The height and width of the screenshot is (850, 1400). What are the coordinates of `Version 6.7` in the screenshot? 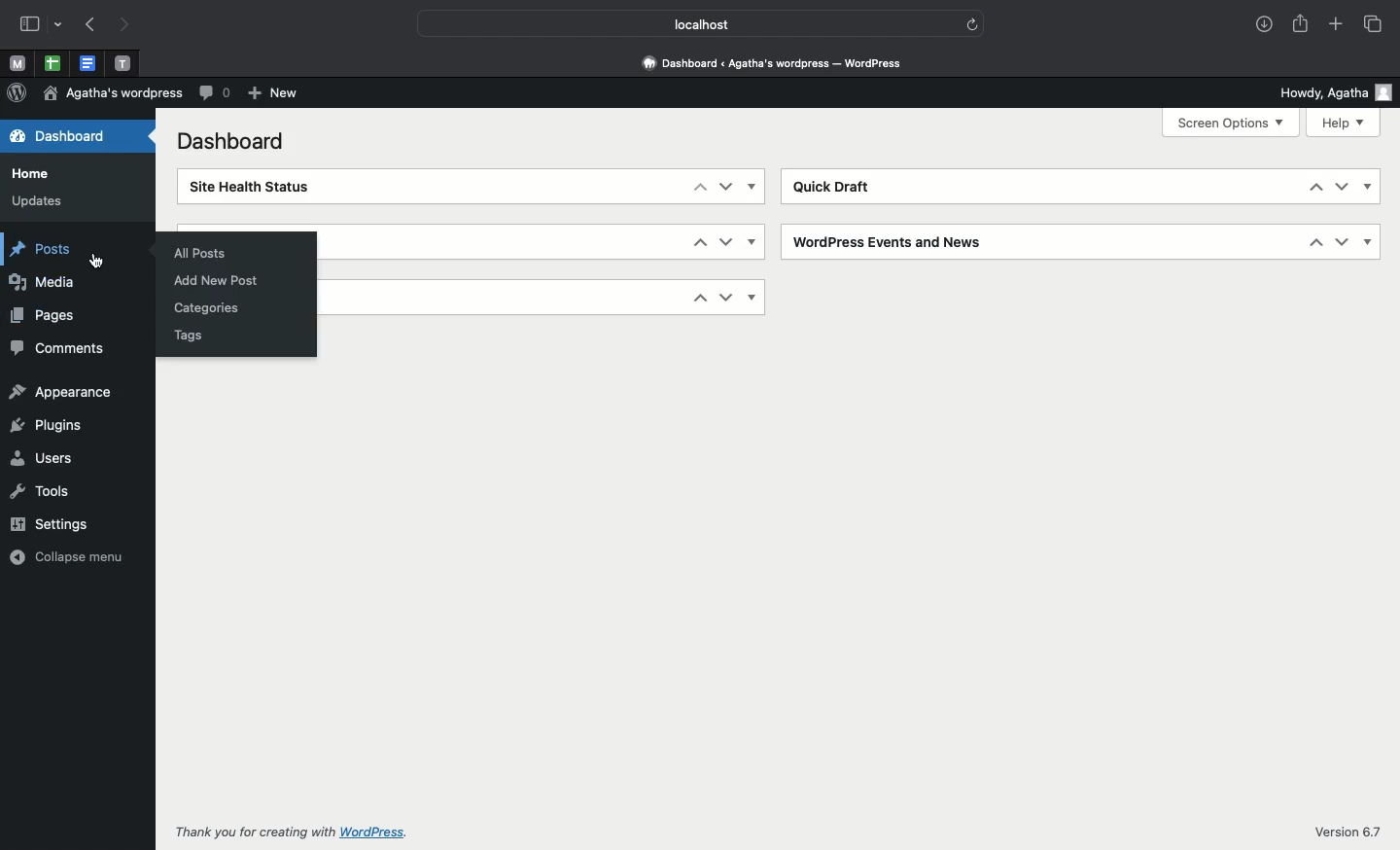 It's located at (1342, 833).